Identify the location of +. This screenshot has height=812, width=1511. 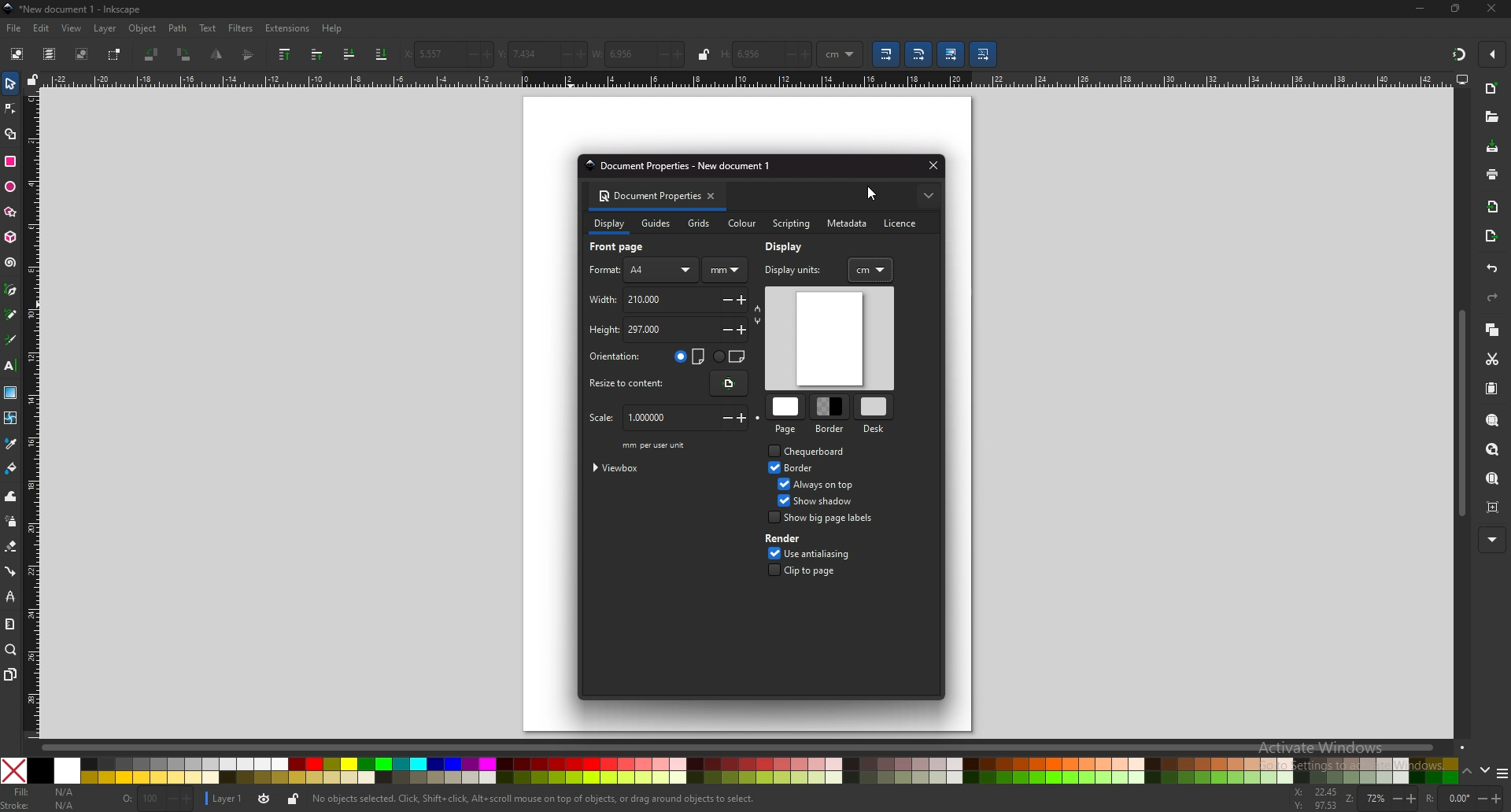
(745, 301).